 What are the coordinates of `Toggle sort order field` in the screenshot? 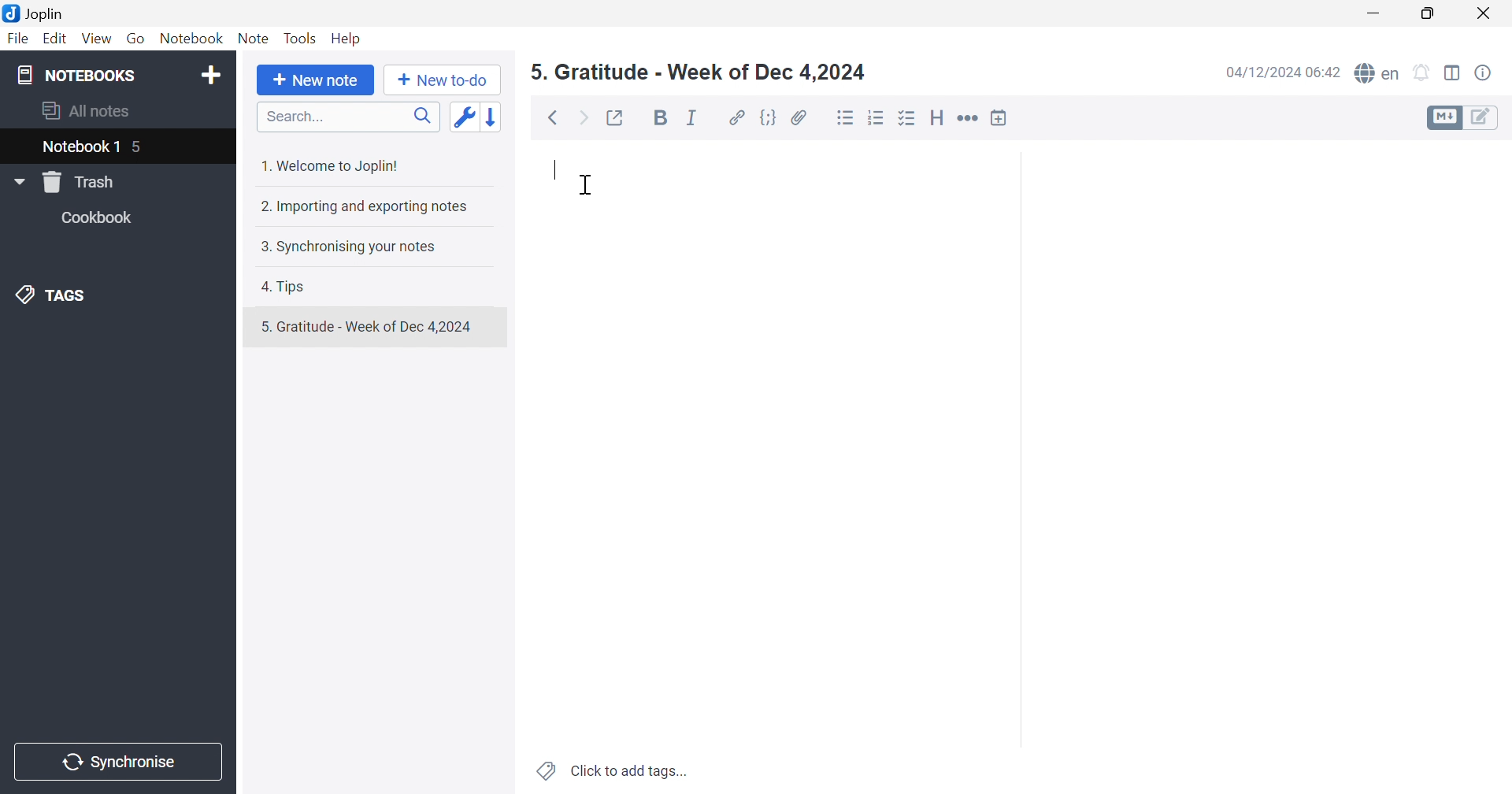 It's located at (467, 118).